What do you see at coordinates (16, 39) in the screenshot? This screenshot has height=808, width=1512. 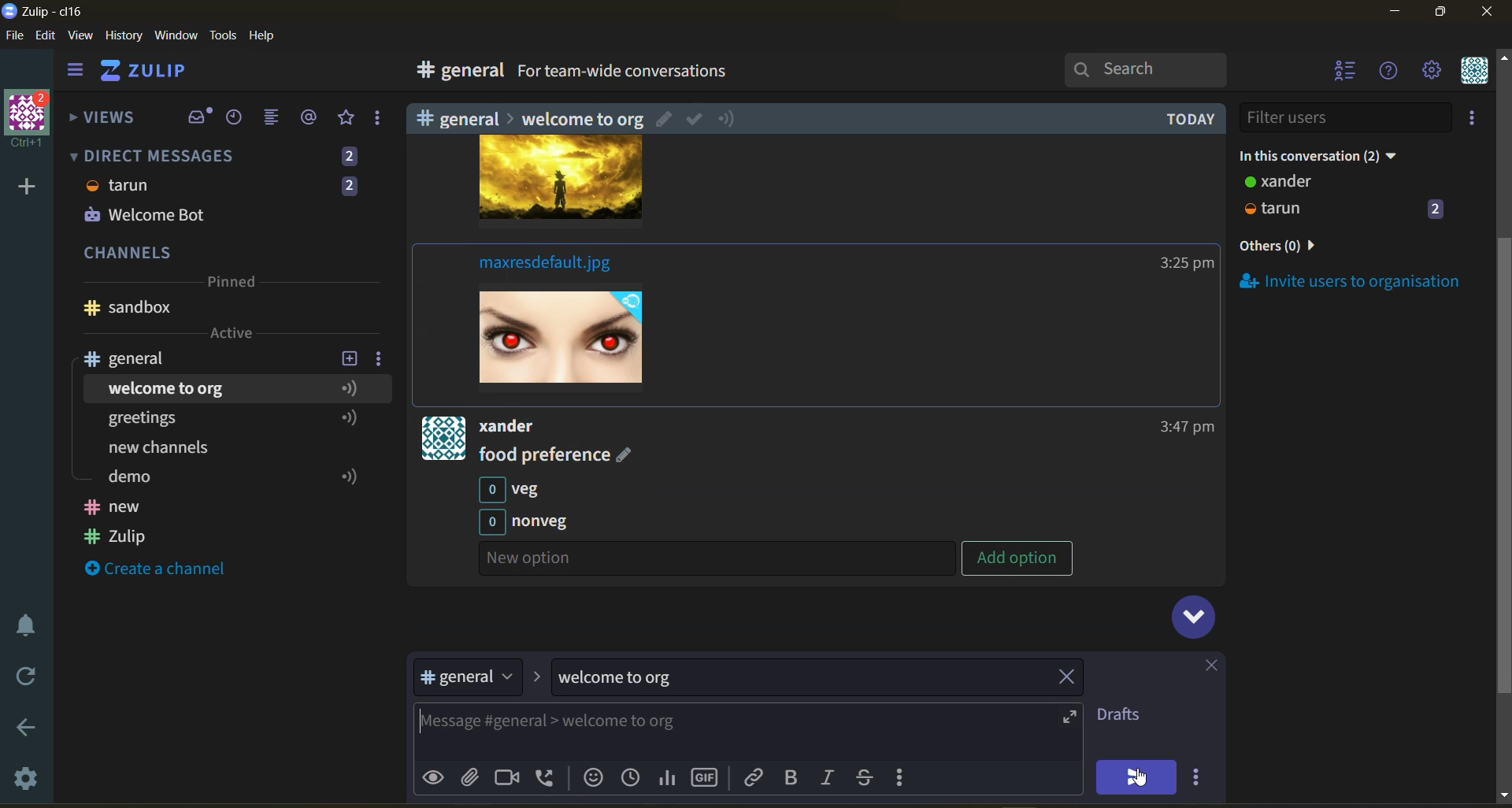 I see `file` at bounding box center [16, 39].